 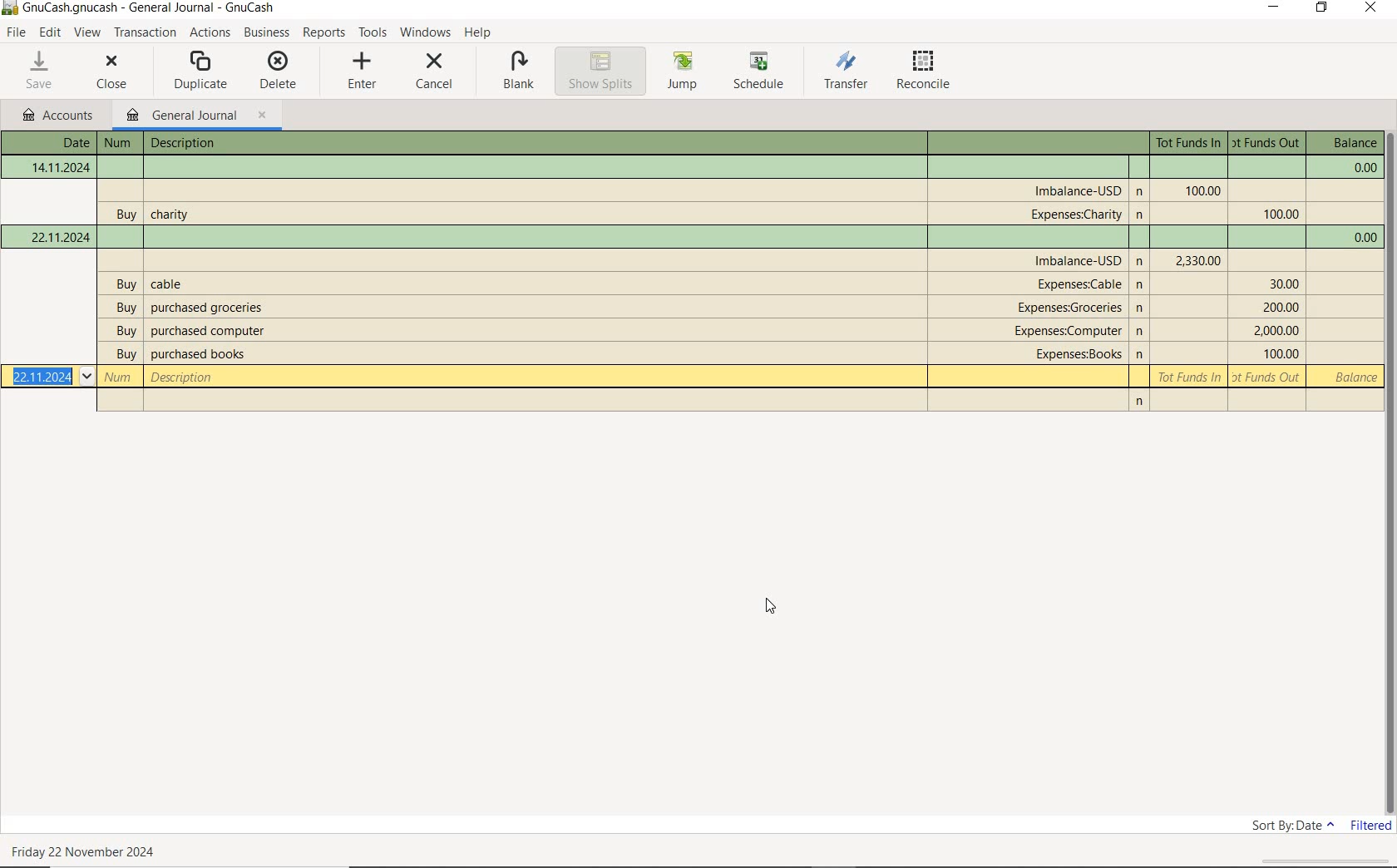 I want to click on TOOLS, so click(x=373, y=33).